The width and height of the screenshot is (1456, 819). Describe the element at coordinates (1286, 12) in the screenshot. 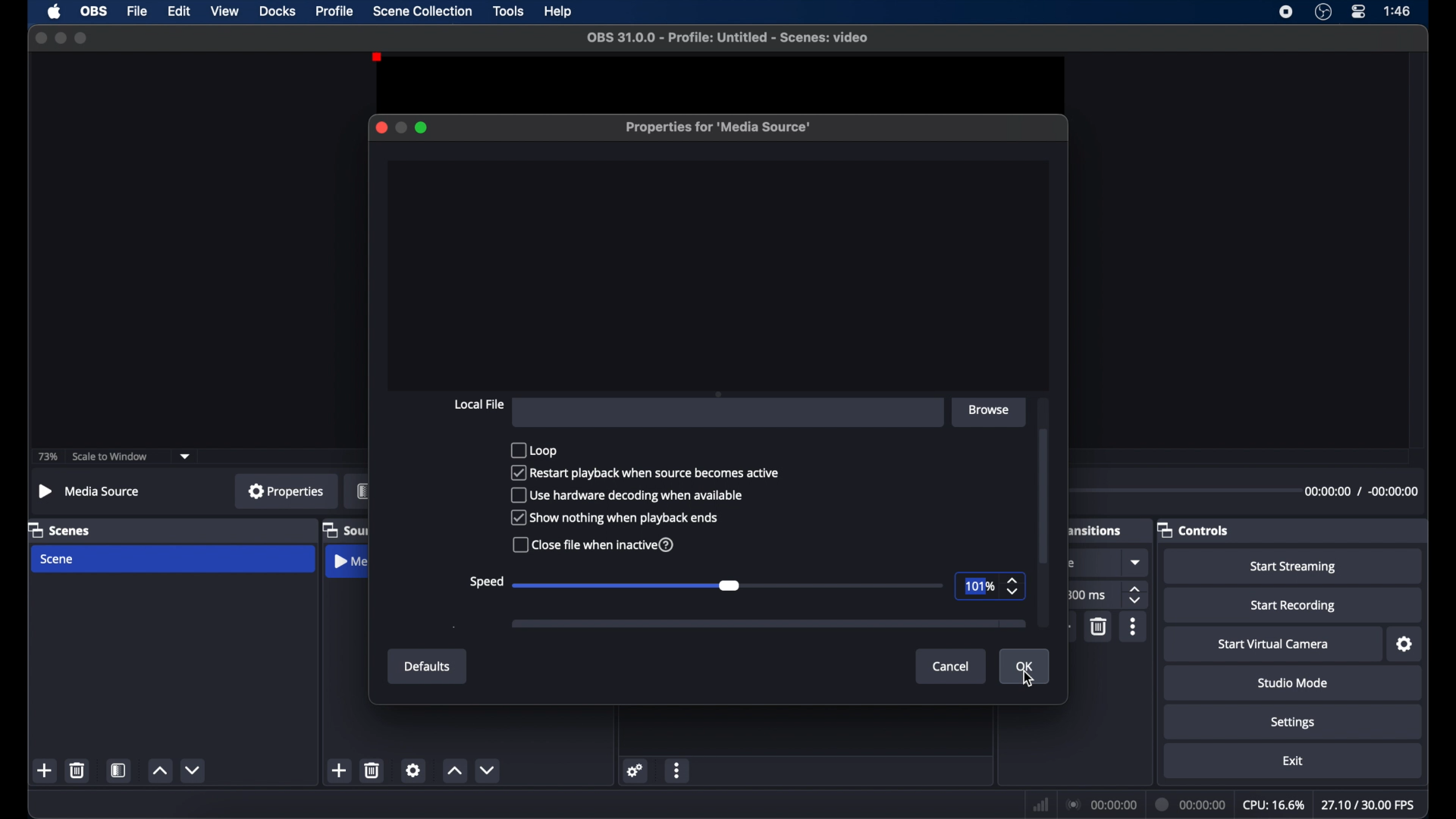

I see `screen recorder icon` at that location.